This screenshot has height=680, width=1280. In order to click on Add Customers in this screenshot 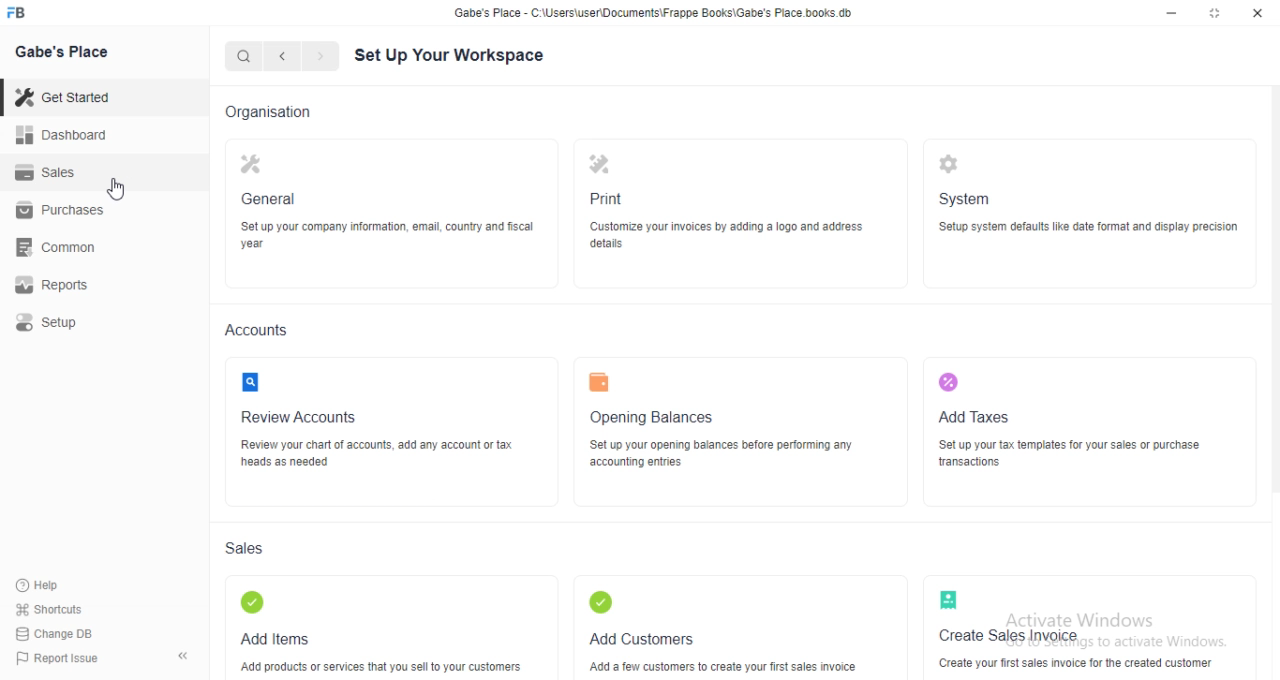, I will do `click(642, 613)`.